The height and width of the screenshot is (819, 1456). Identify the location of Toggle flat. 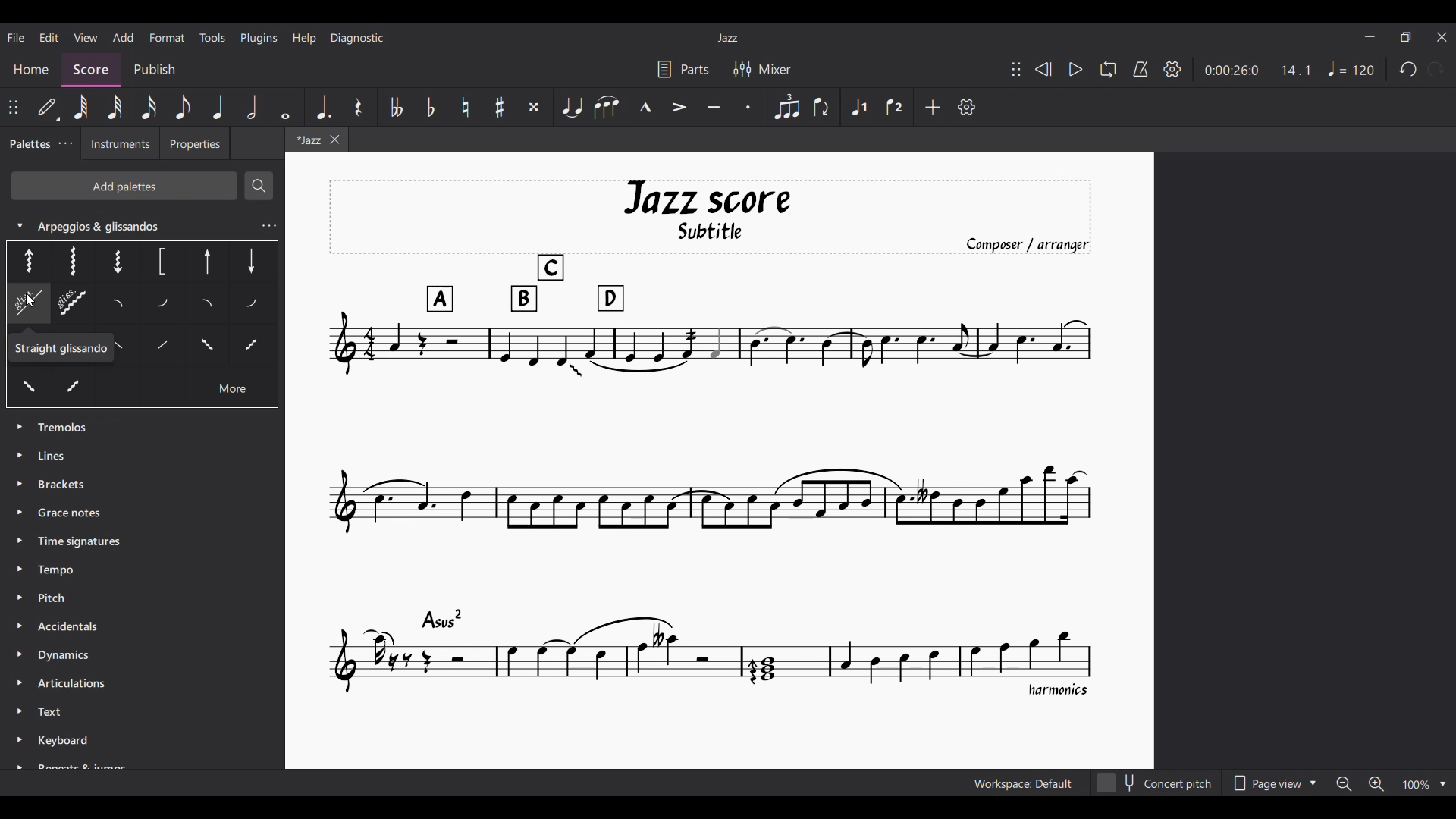
(431, 107).